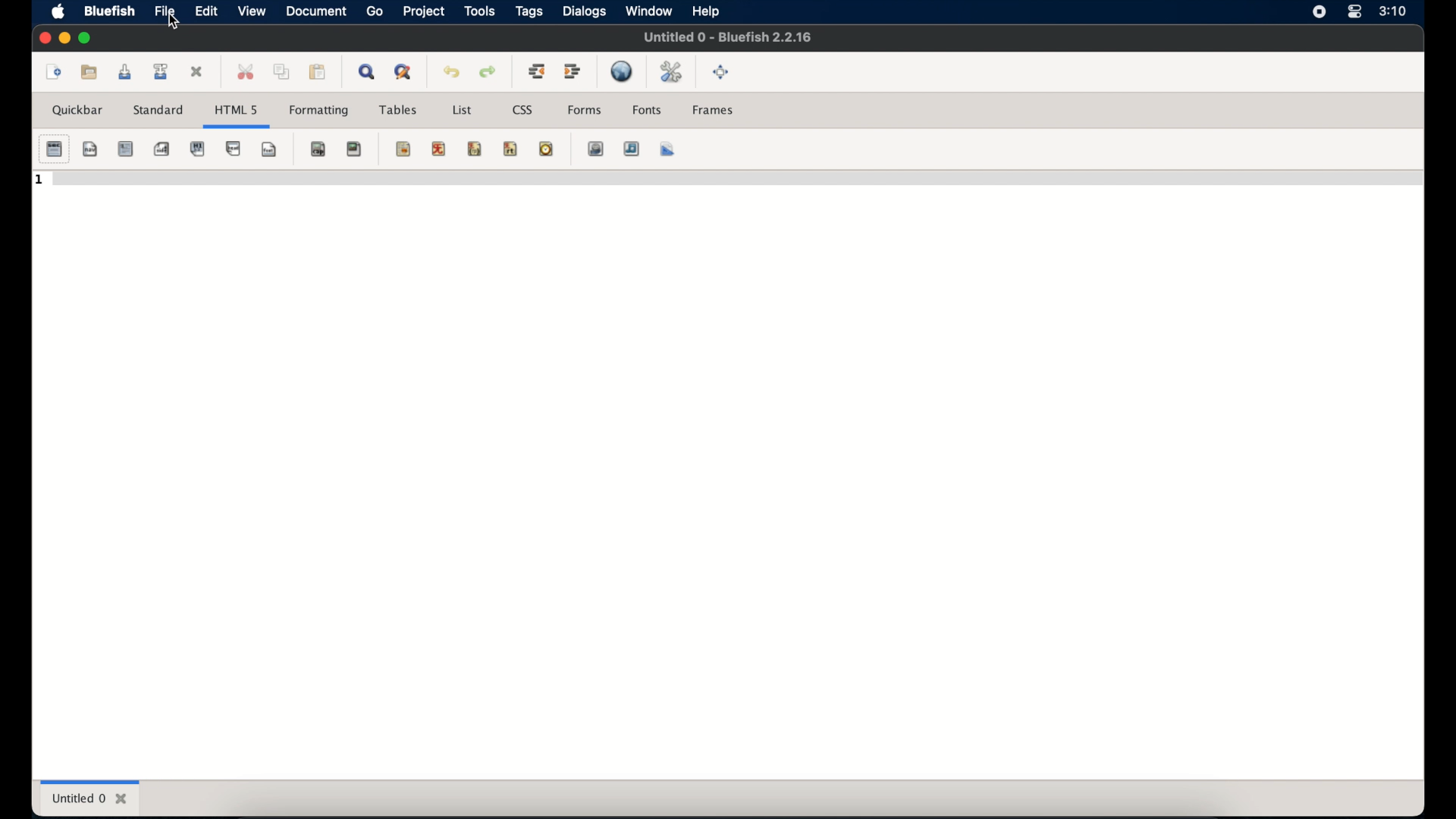 The image size is (1456, 819). I want to click on time, so click(1392, 11).